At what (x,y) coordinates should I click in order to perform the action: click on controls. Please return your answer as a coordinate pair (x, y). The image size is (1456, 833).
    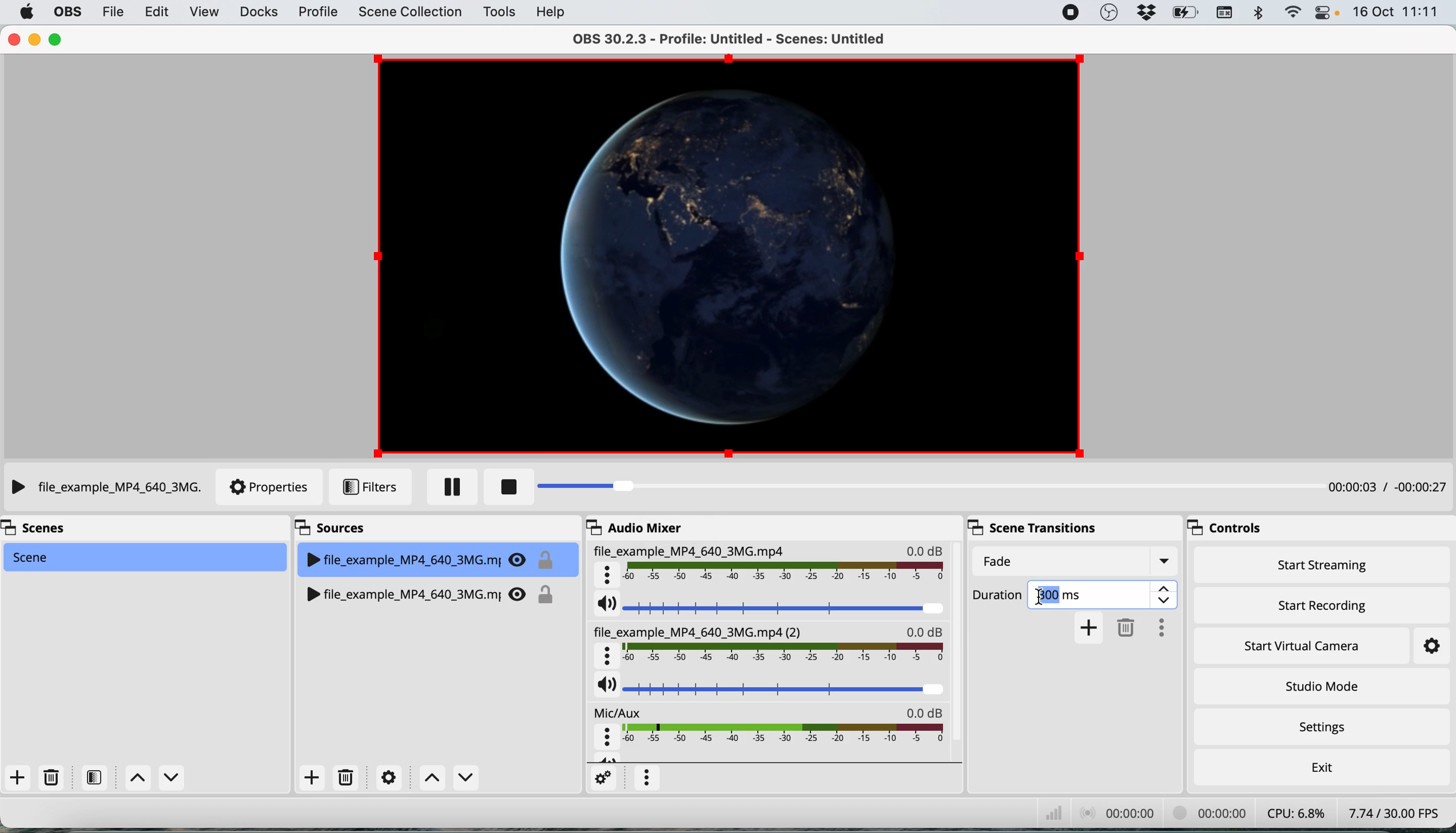
    Looking at the image, I should click on (1223, 527).